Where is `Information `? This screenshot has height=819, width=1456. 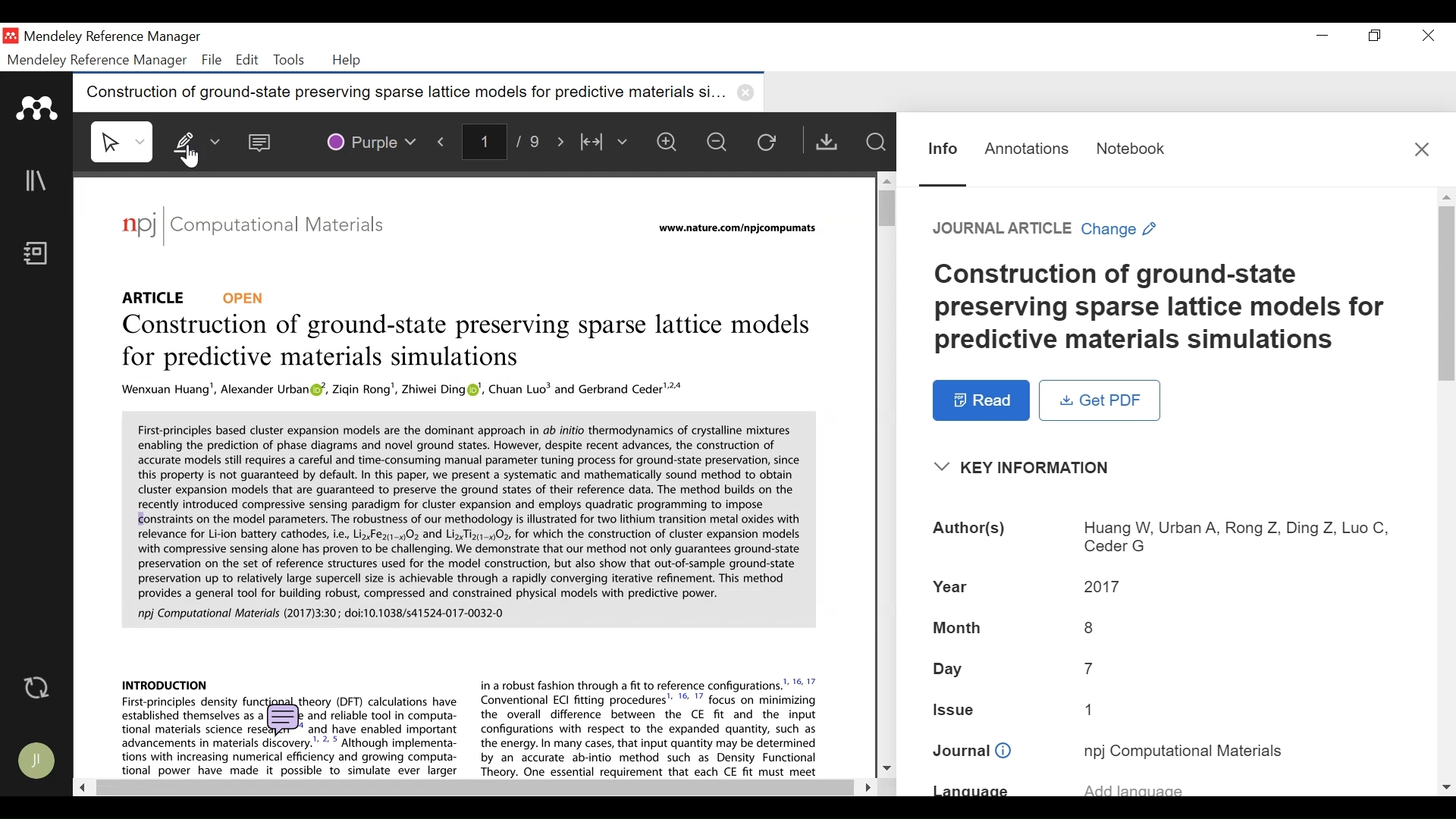 Information  is located at coordinates (943, 149).